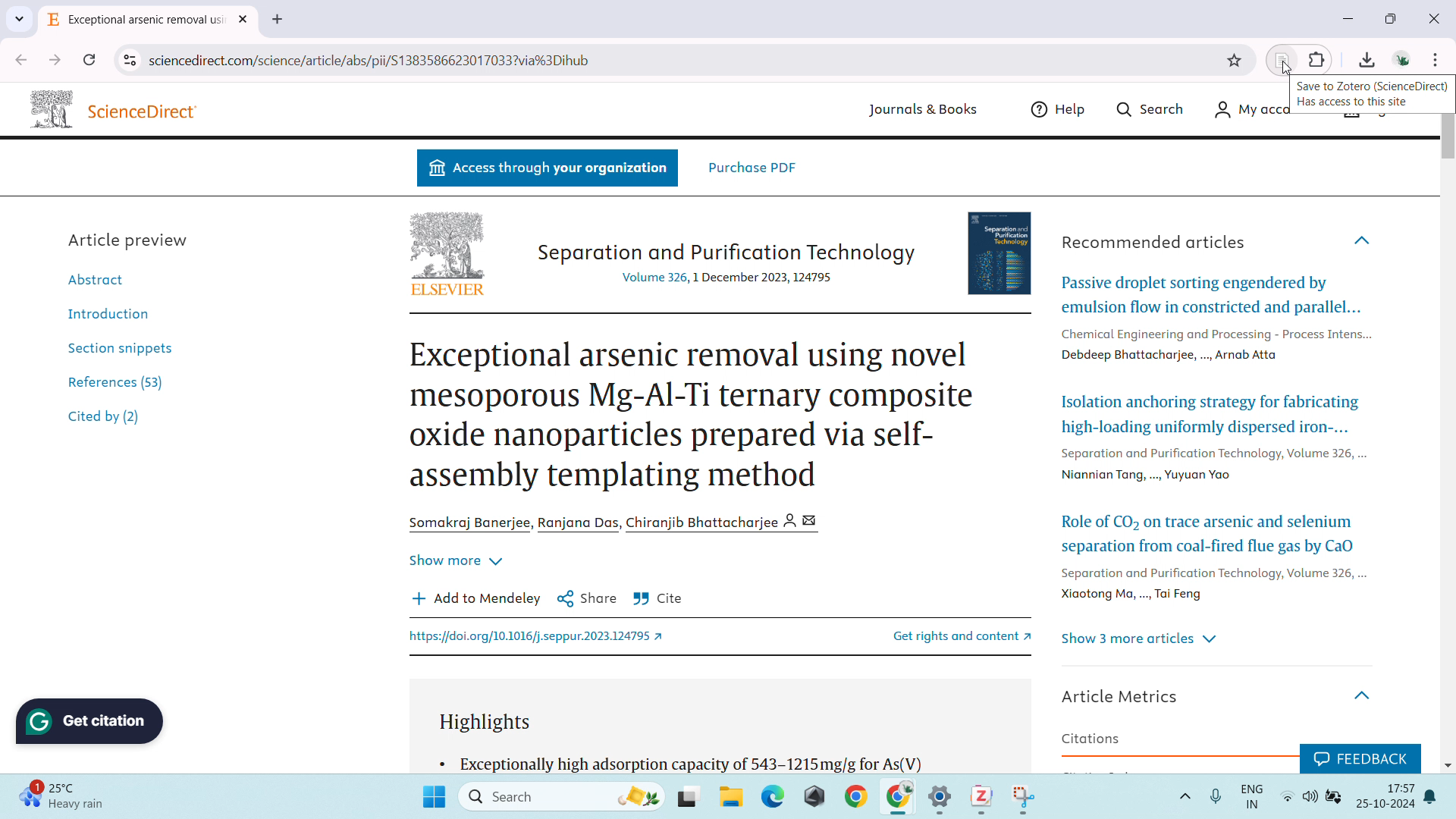 Image resolution: width=1456 pixels, height=819 pixels. What do you see at coordinates (1374, 95) in the screenshot?
I see `Save to Zotero (ScienceDirect) Has access to this site` at bounding box center [1374, 95].